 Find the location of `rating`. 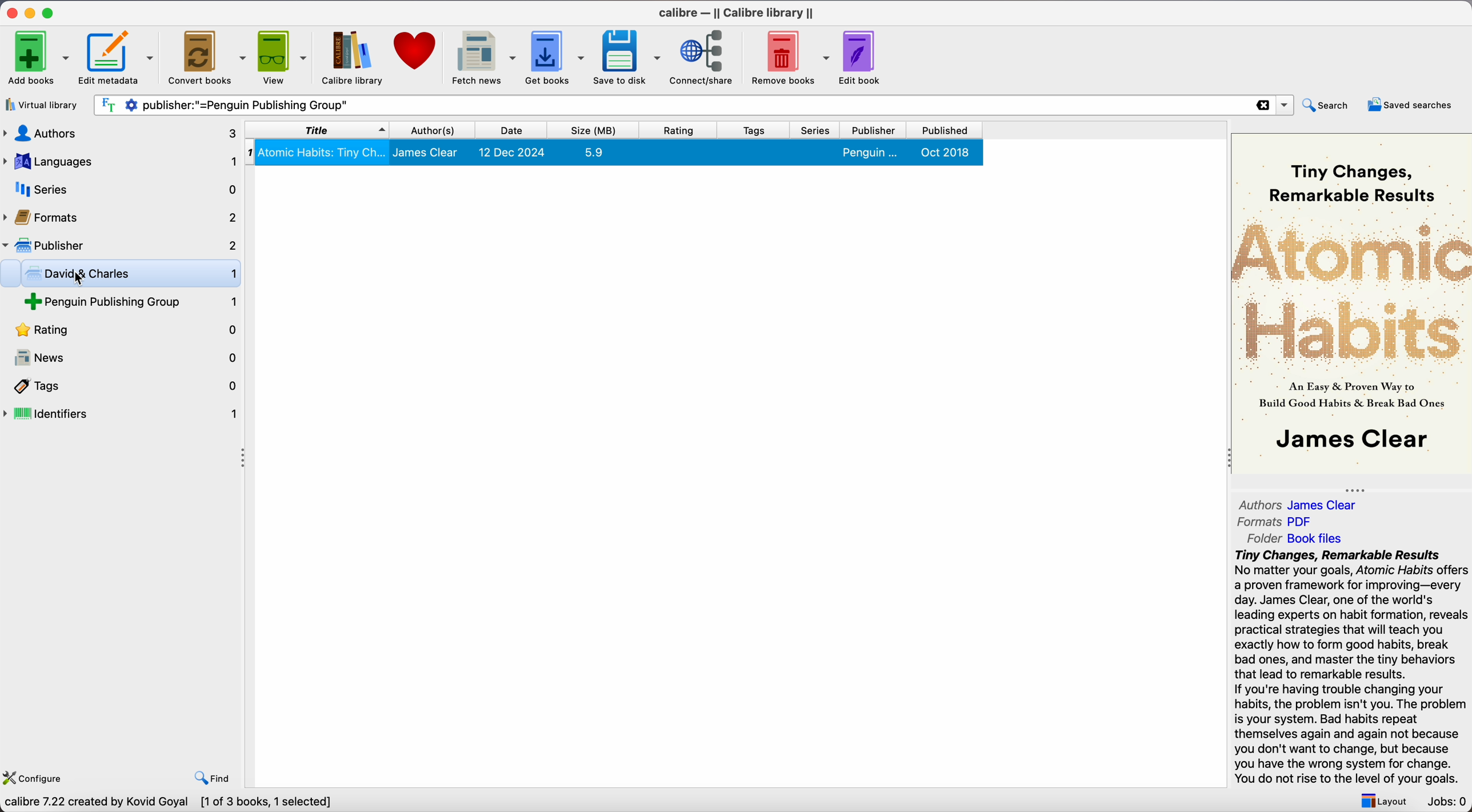

rating is located at coordinates (685, 130).